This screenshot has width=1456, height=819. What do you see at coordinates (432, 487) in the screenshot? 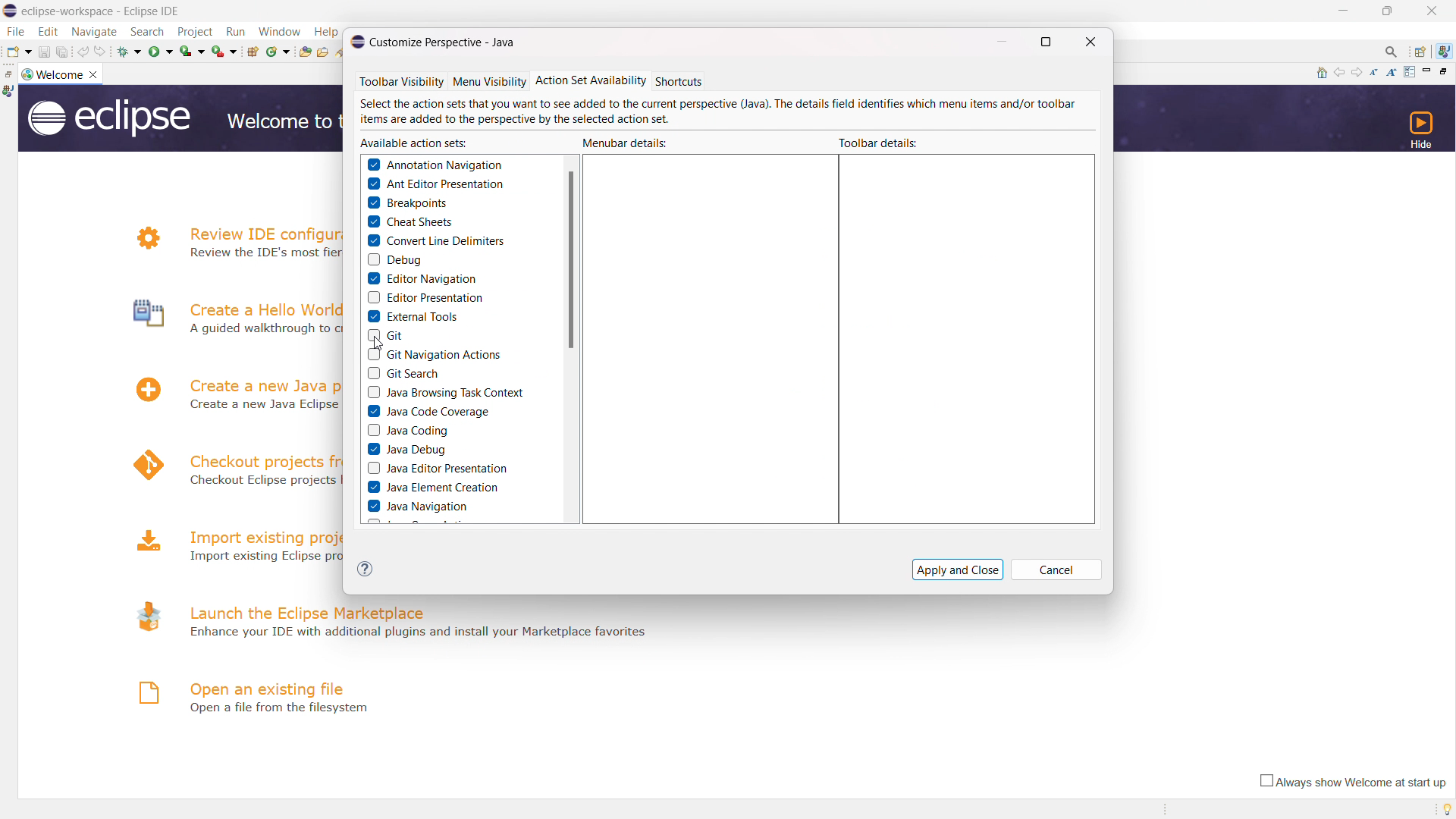
I see `java element creation` at bounding box center [432, 487].